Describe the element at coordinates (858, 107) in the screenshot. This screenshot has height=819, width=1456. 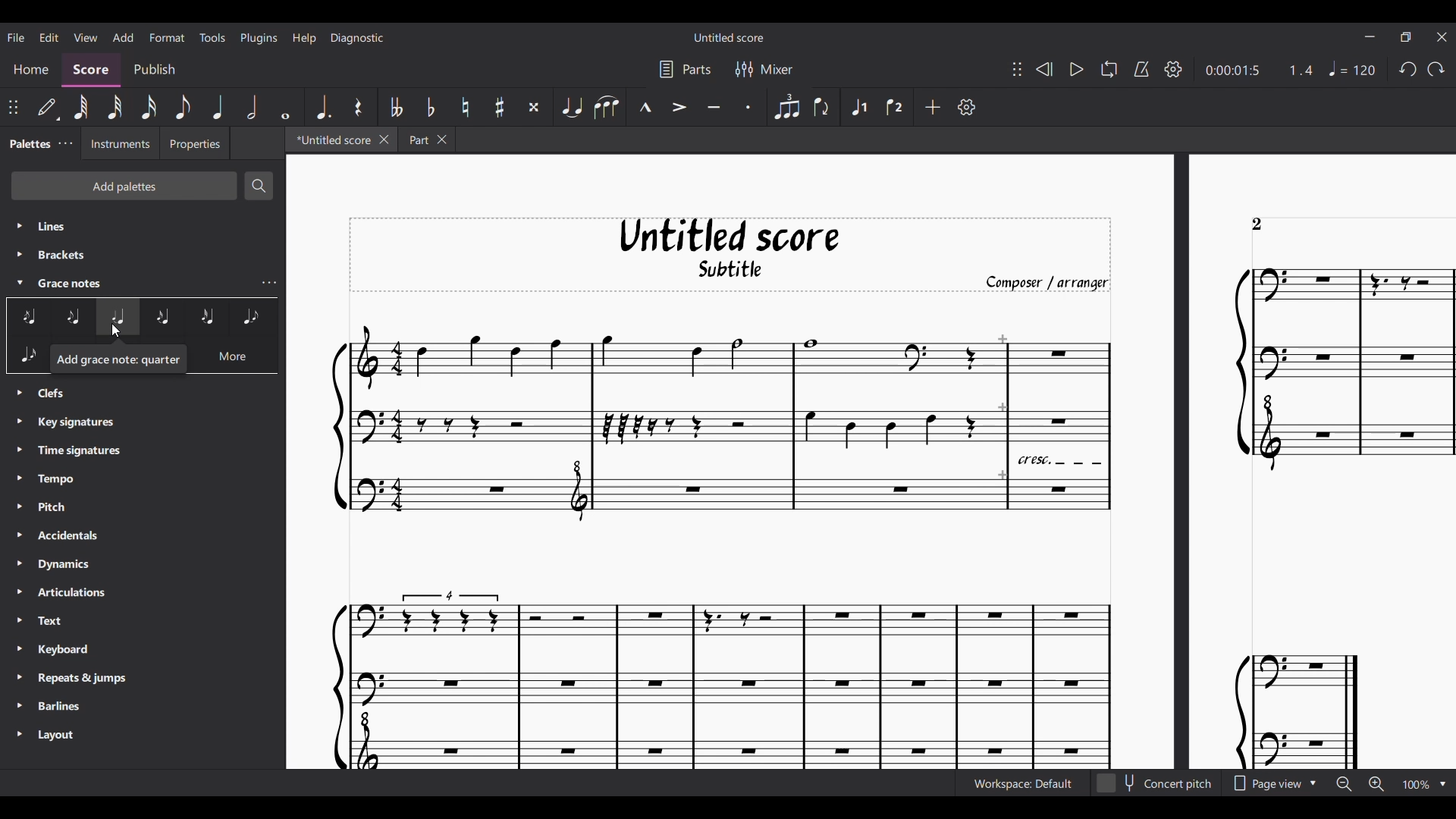
I see `Voice 1` at that location.